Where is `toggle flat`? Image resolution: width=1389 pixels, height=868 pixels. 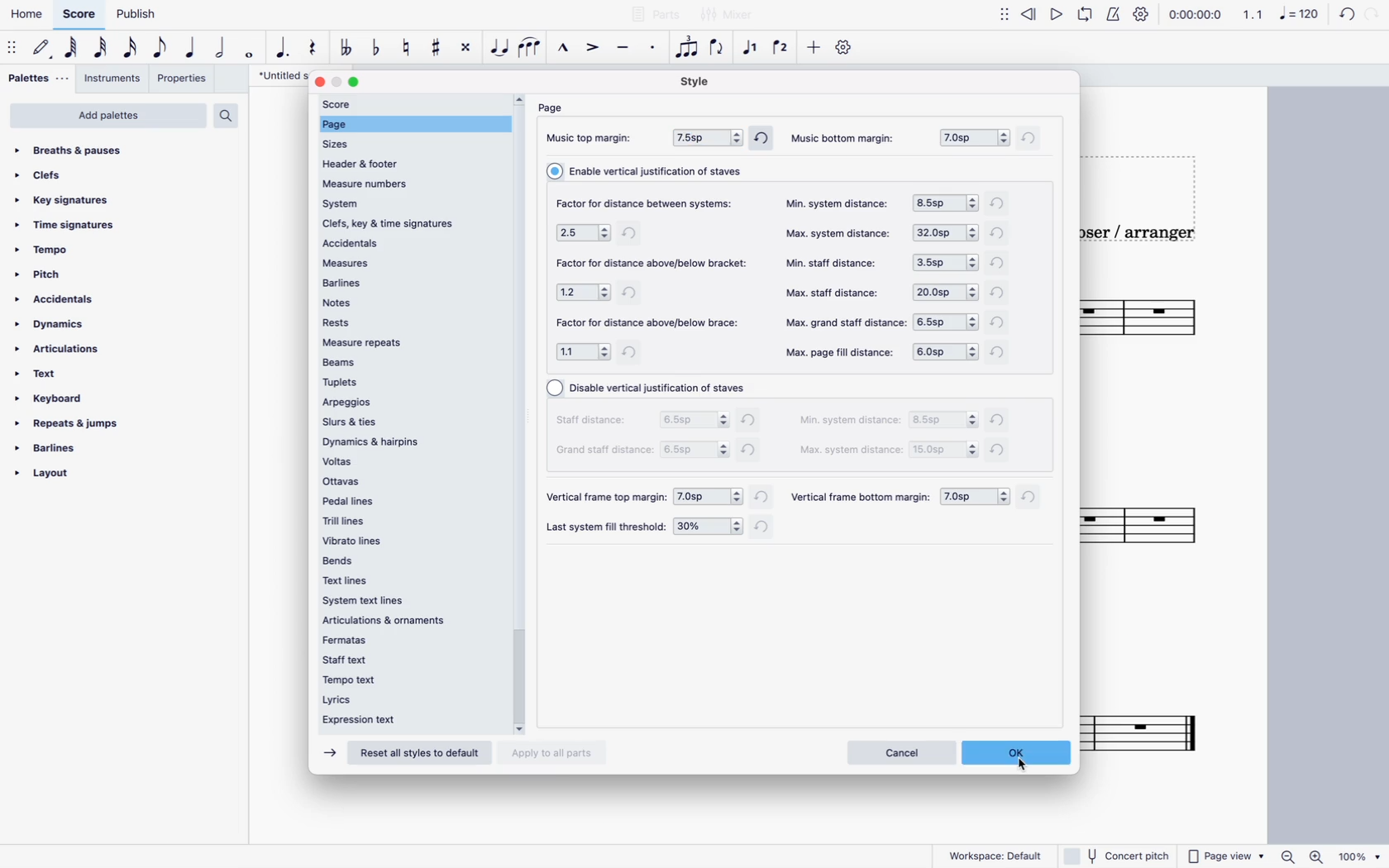 toggle flat is located at coordinates (375, 49).